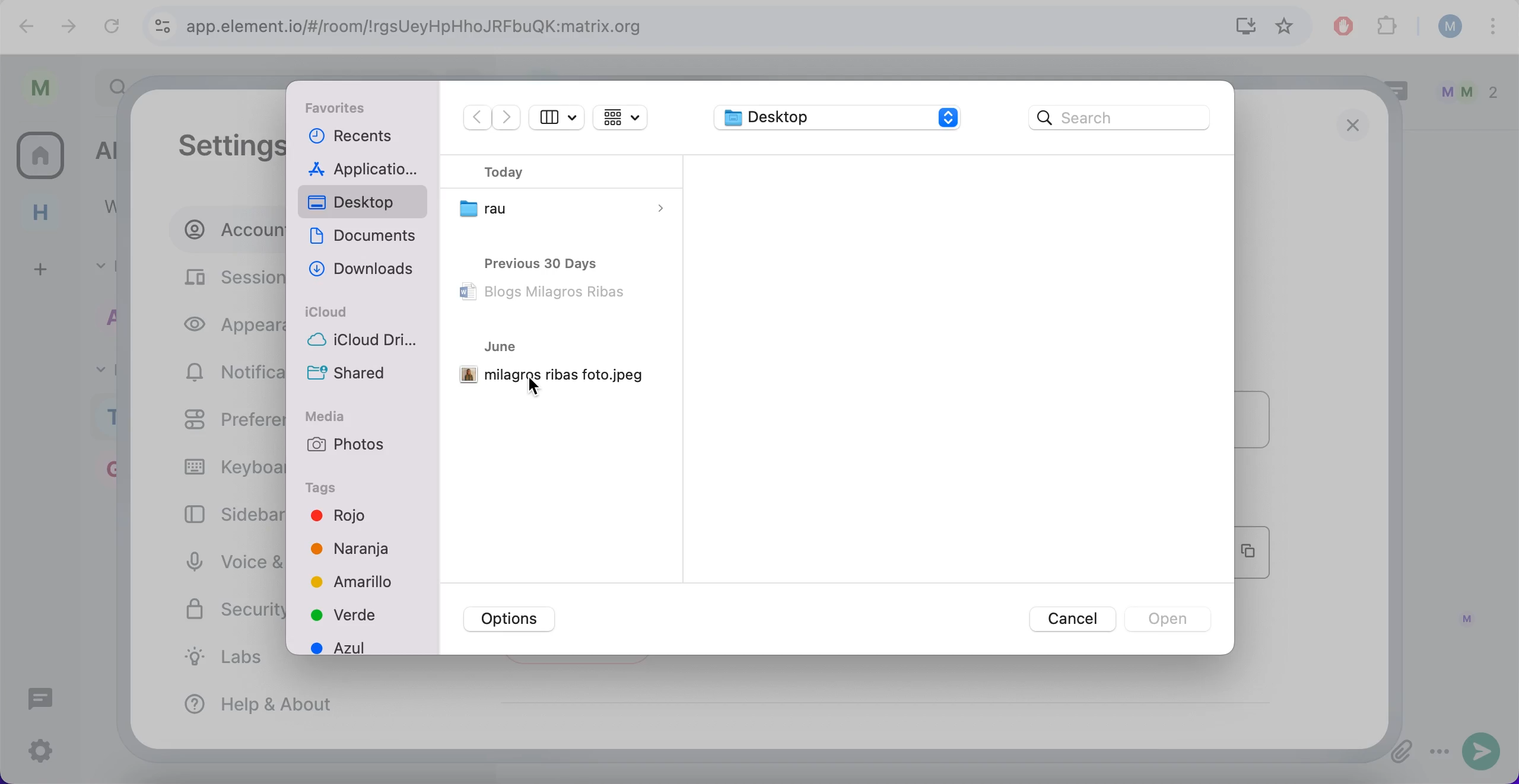 The width and height of the screenshot is (1519, 784). What do you see at coordinates (1251, 552) in the screenshot?
I see `copy` at bounding box center [1251, 552].